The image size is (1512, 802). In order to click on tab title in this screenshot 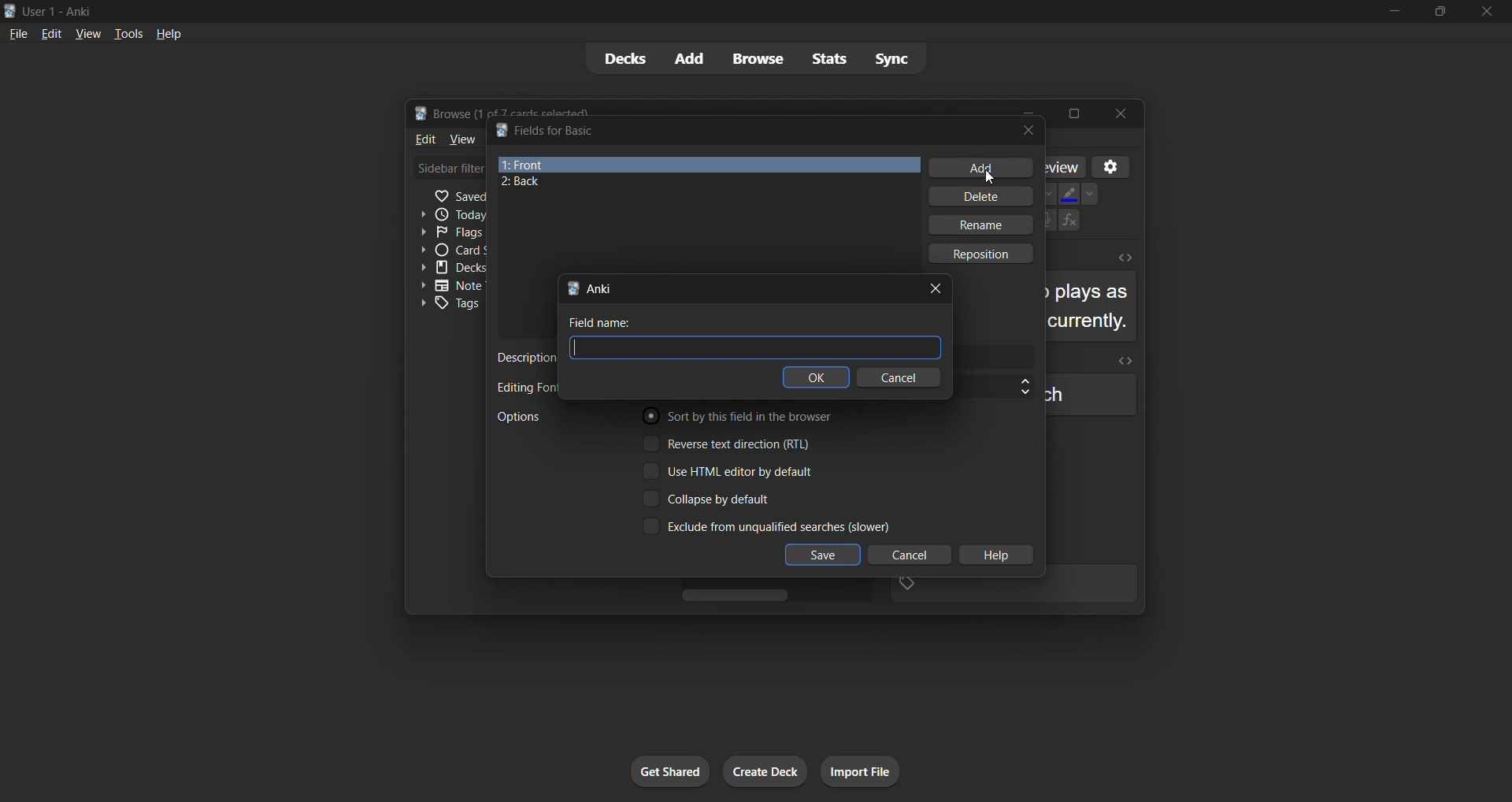, I will do `click(733, 287)`.